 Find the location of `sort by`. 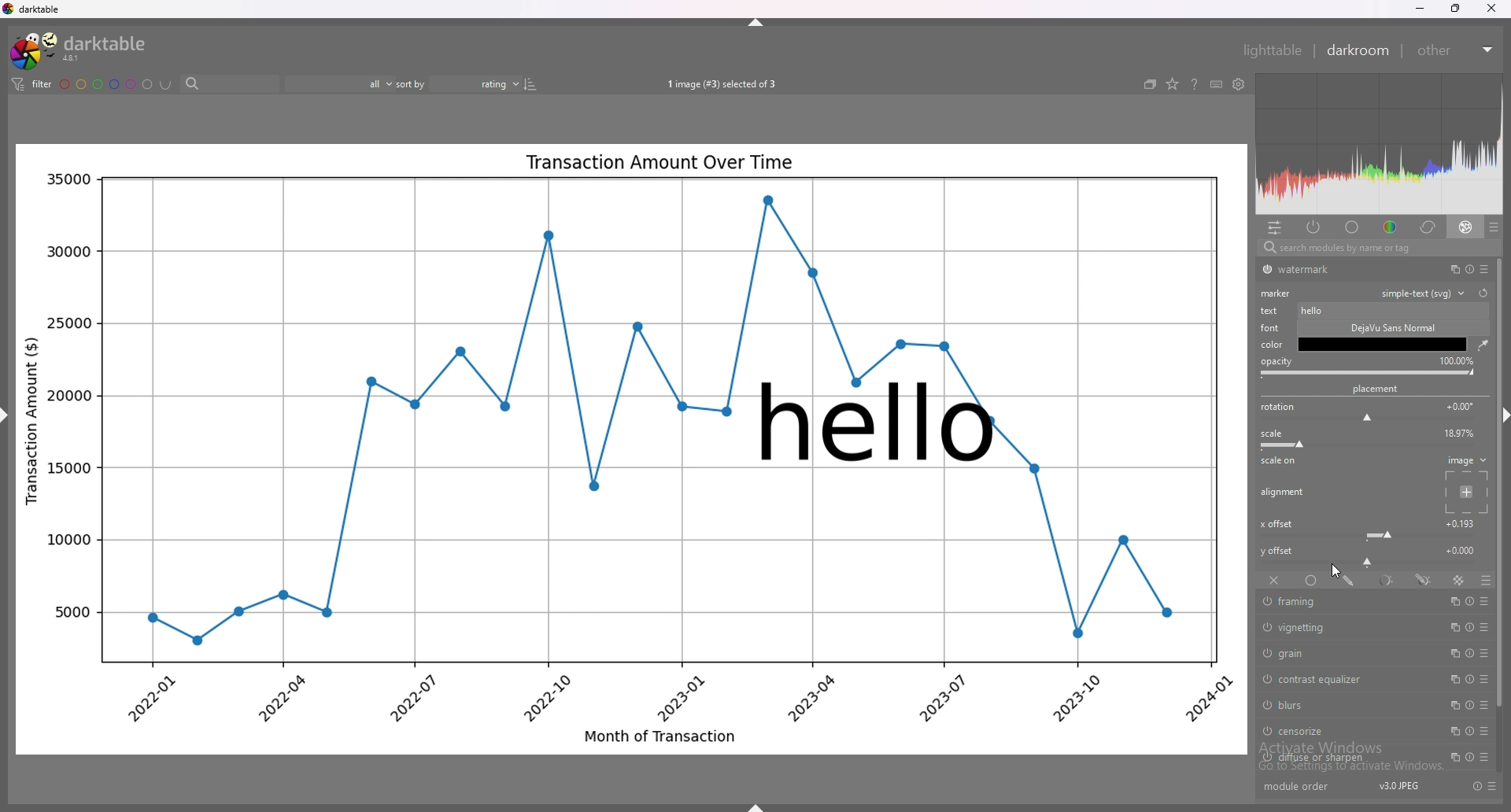

sort by is located at coordinates (458, 82).